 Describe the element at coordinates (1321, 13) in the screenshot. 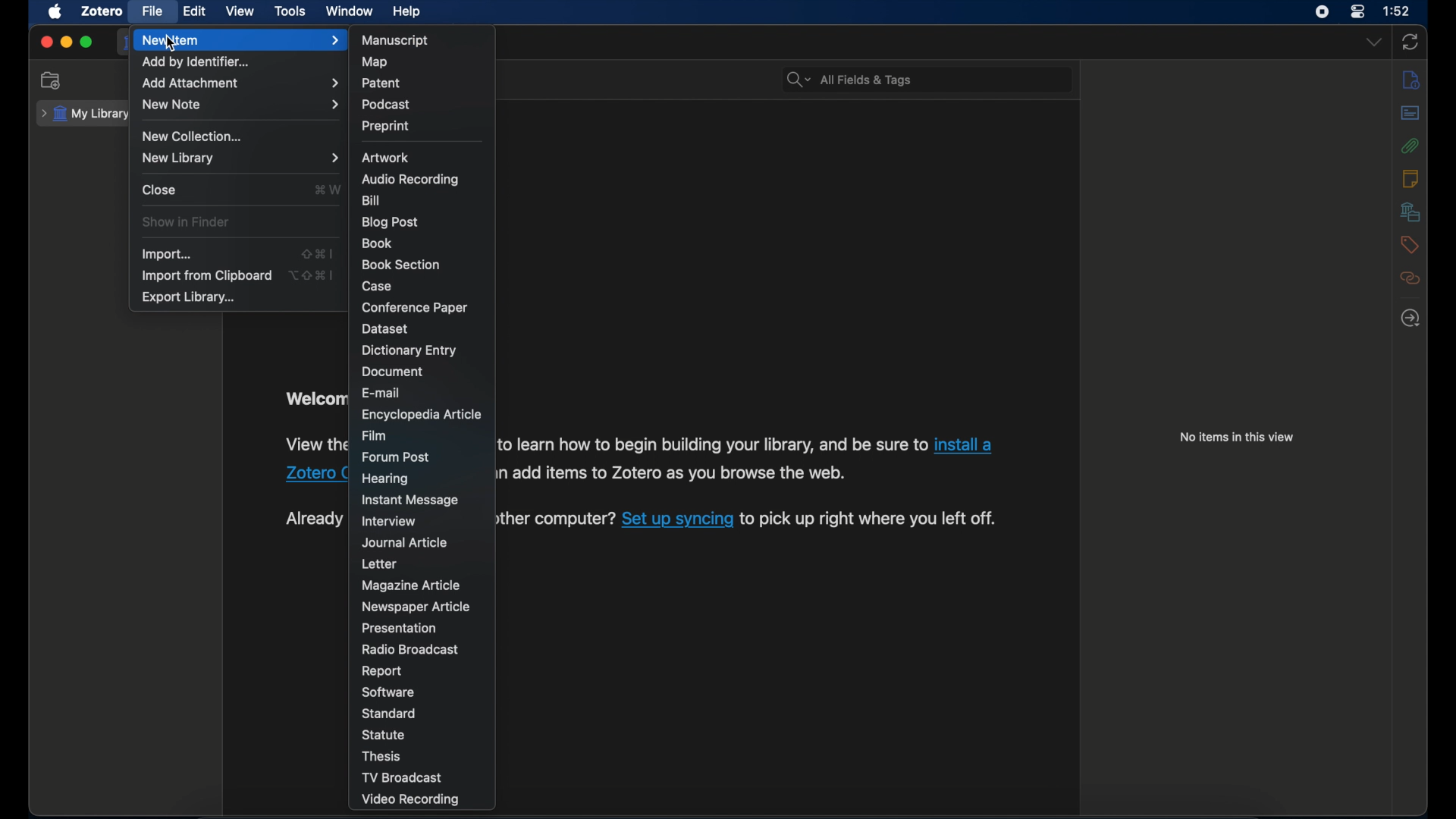

I see `screen recorder` at that location.